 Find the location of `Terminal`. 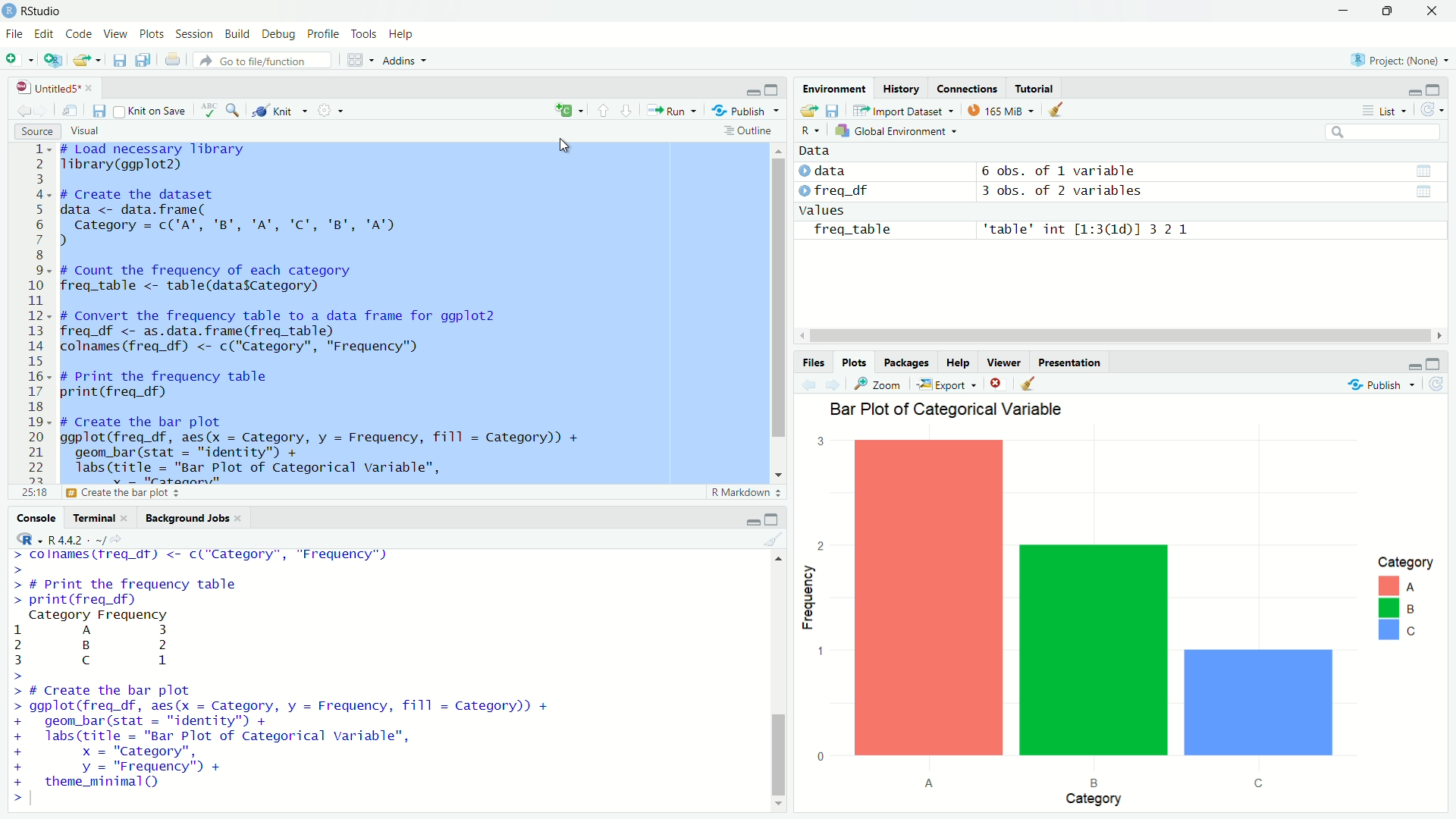

Terminal is located at coordinates (93, 518).